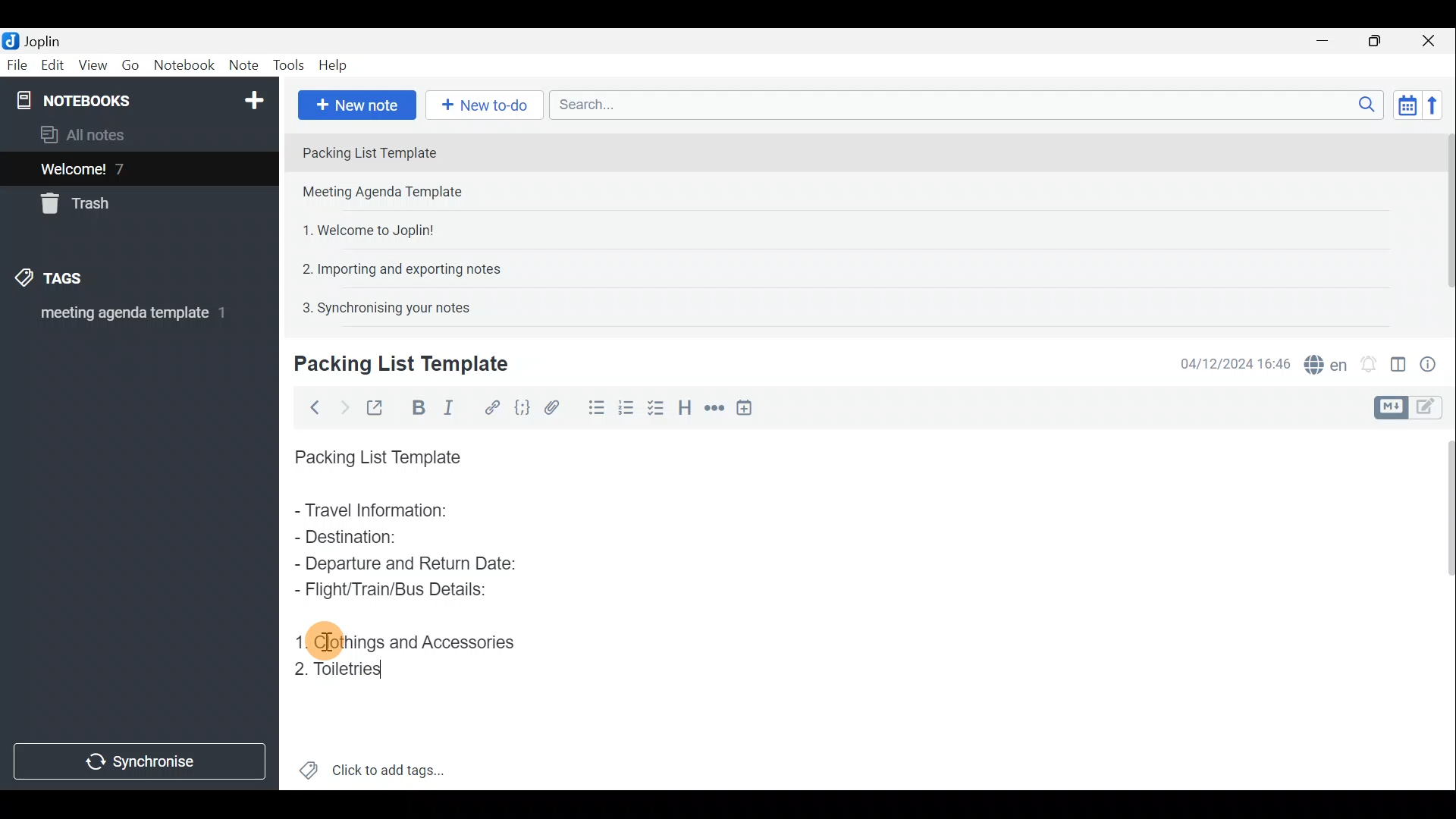 Image resolution: width=1456 pixels, height=819 pixels. I want to click on Creating new note, so click(392, 365).